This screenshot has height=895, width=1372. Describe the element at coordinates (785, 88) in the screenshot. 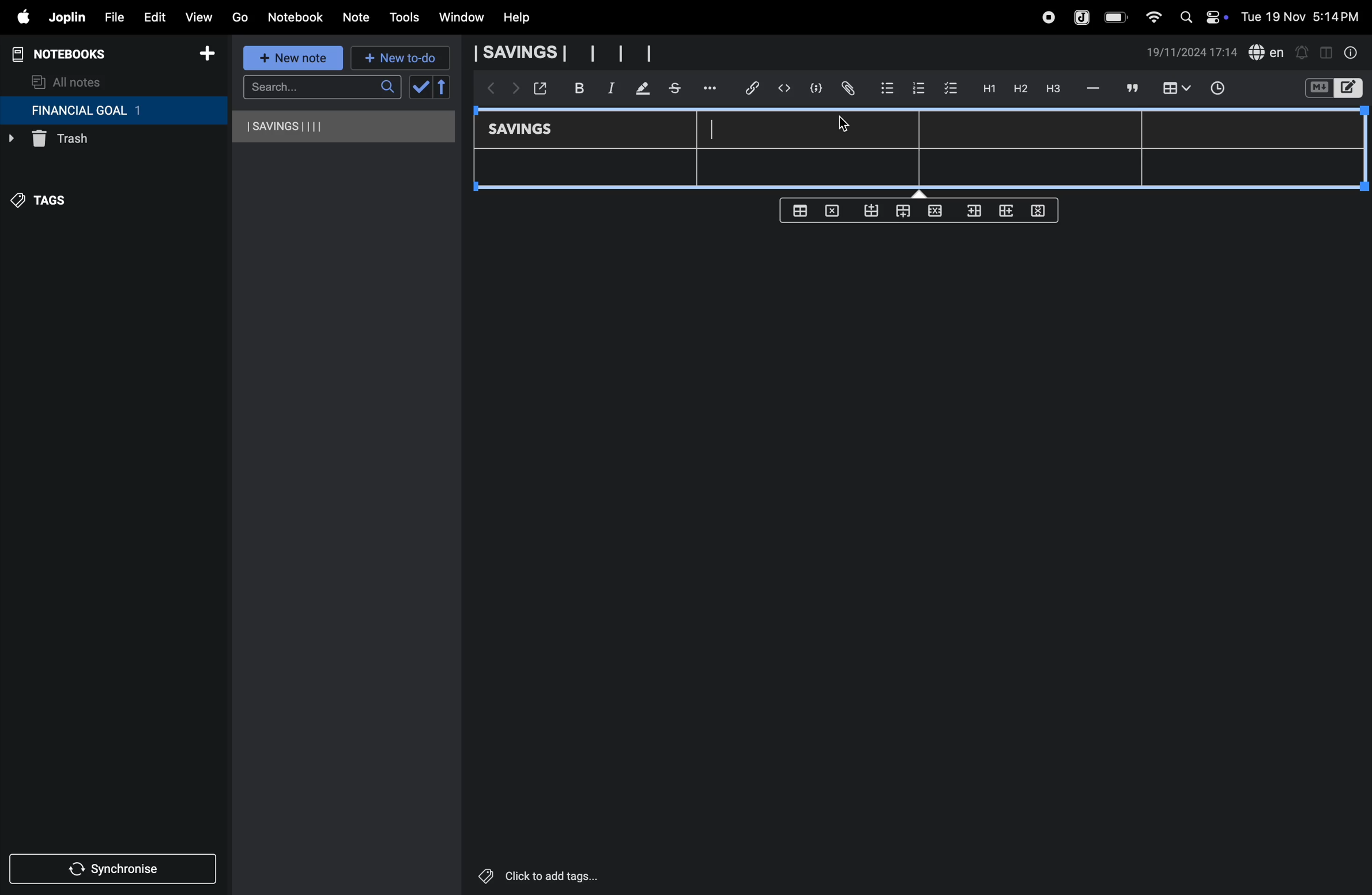

I see `insert code` at that location.